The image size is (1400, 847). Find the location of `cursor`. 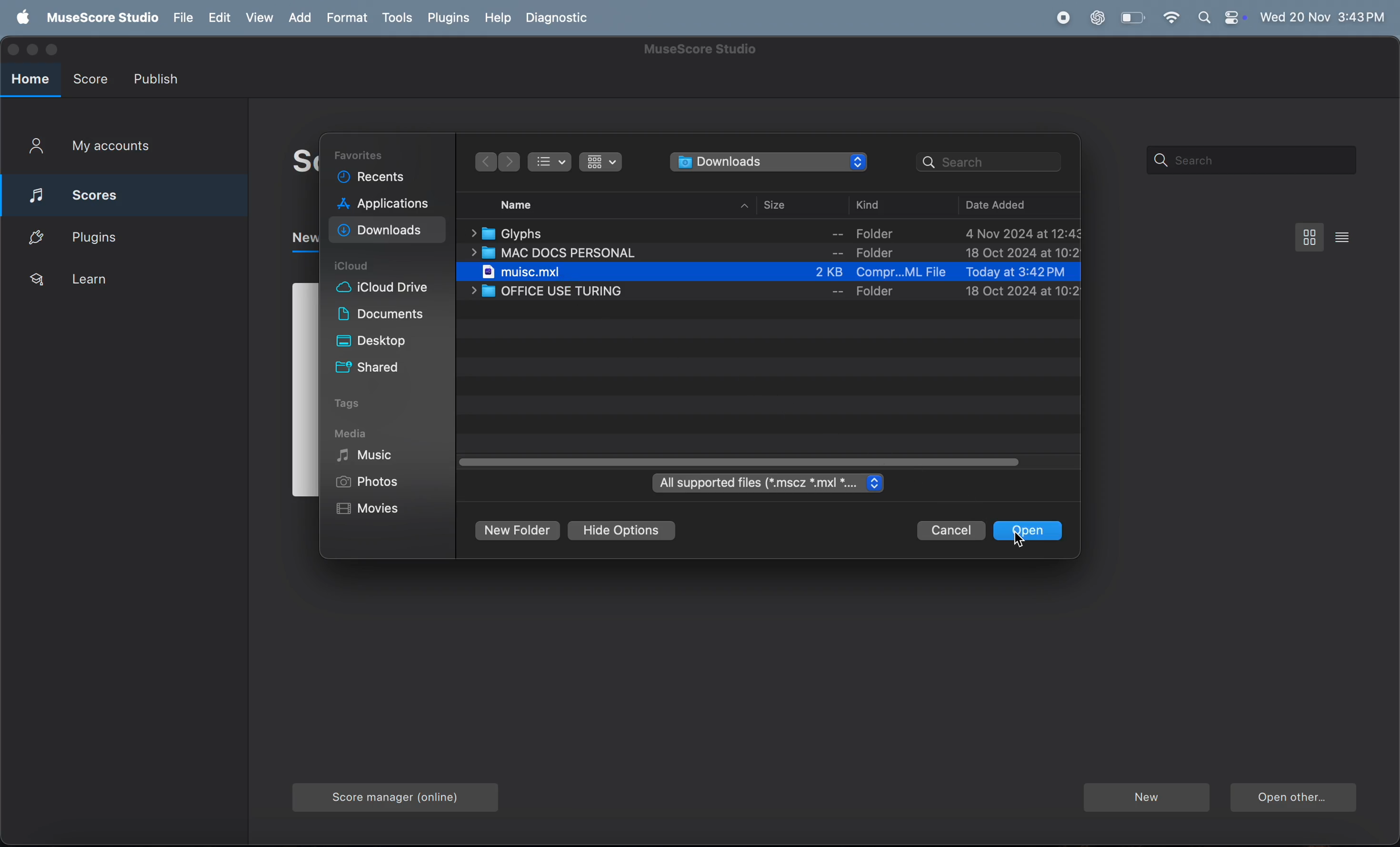

cursor is located at coordinates (1020, 545).